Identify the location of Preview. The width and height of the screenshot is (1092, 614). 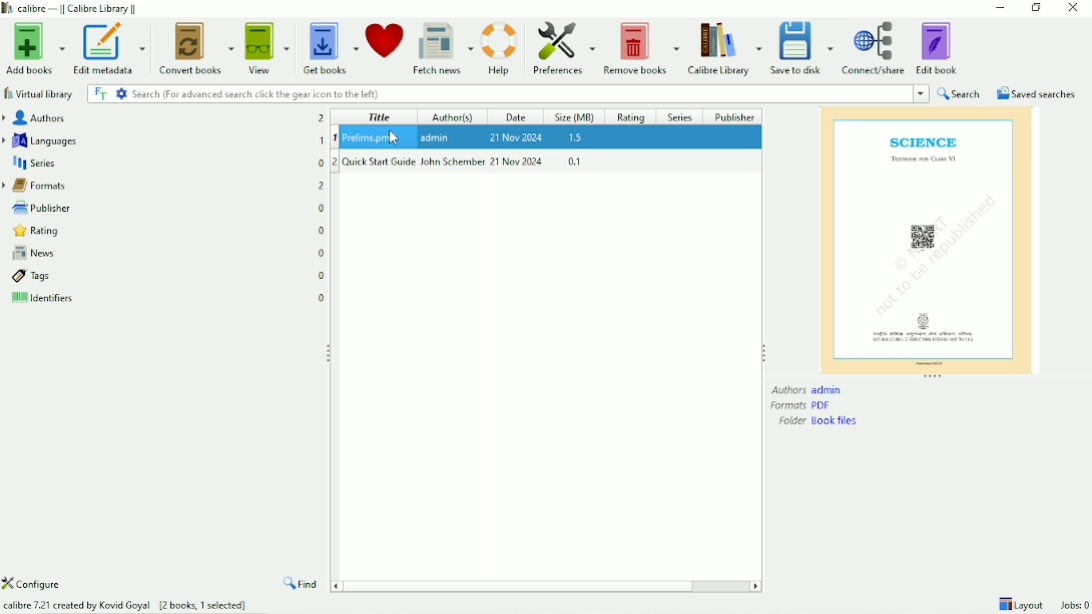
(926, 239).